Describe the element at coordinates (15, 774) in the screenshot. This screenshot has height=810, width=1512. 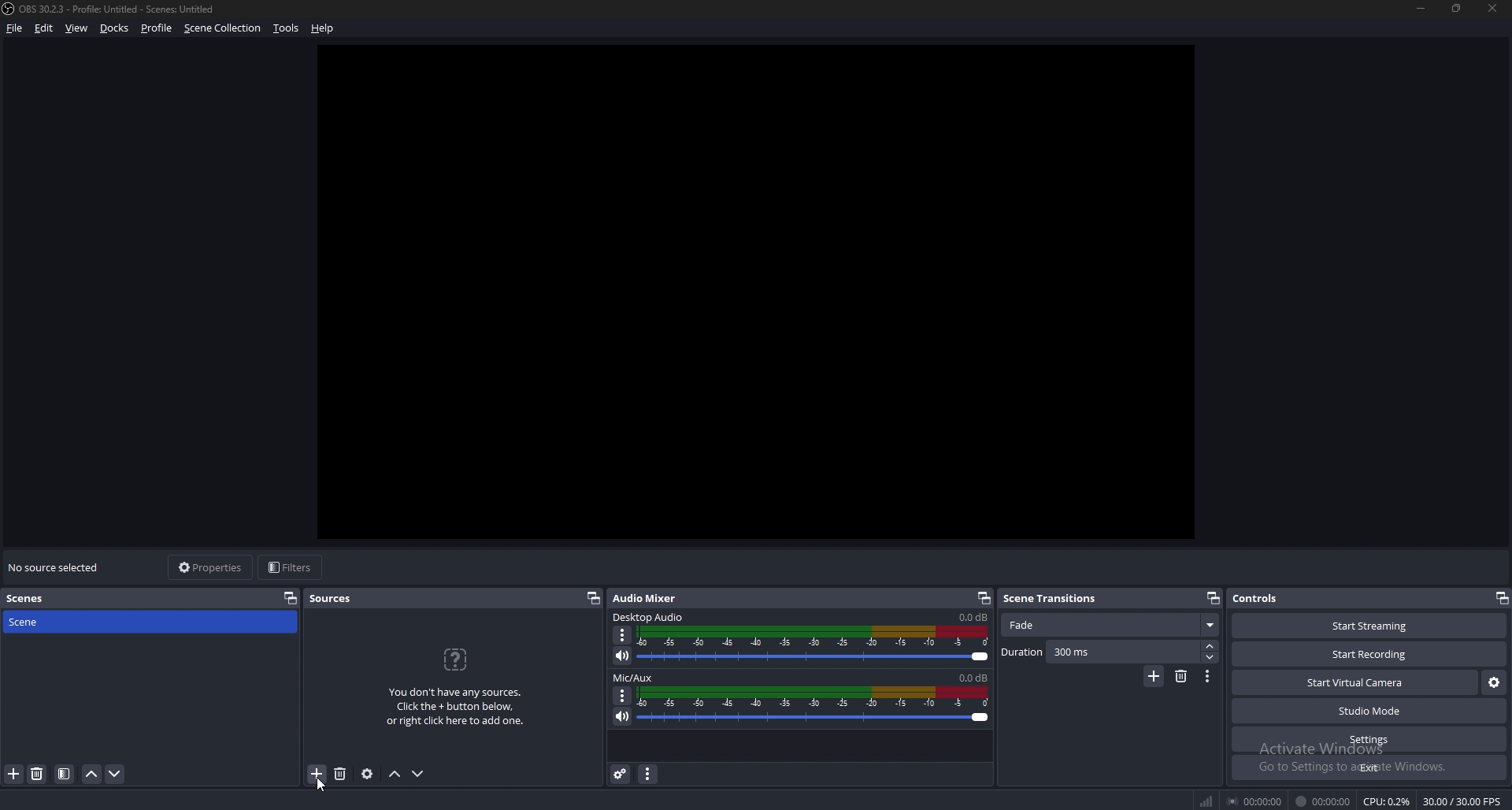
I see `add scene` at that location.